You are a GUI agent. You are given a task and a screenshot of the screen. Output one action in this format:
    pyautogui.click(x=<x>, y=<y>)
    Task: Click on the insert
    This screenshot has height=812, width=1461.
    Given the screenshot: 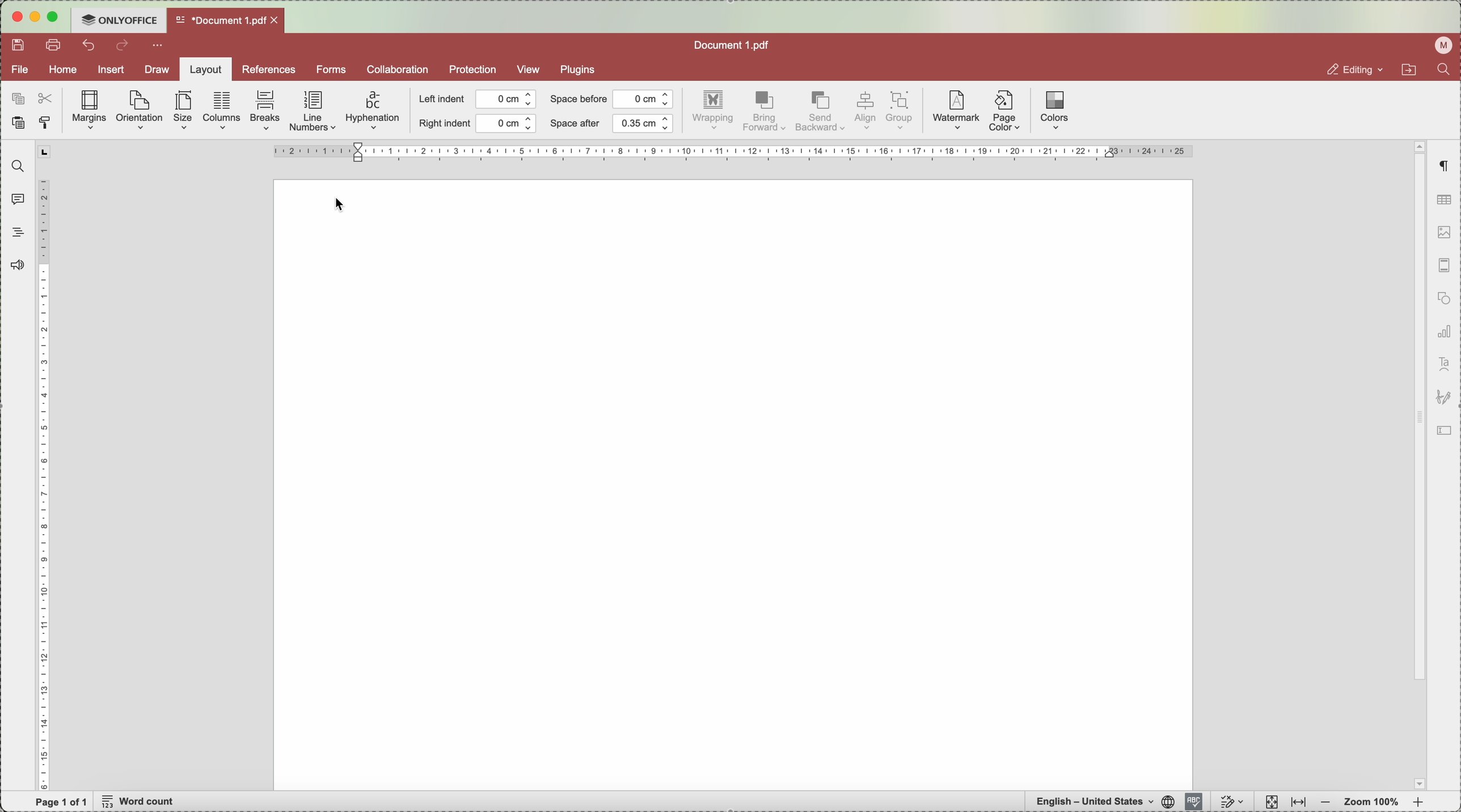 What is the action you would take?
    pyautogui.click(x=111, y=71)
    